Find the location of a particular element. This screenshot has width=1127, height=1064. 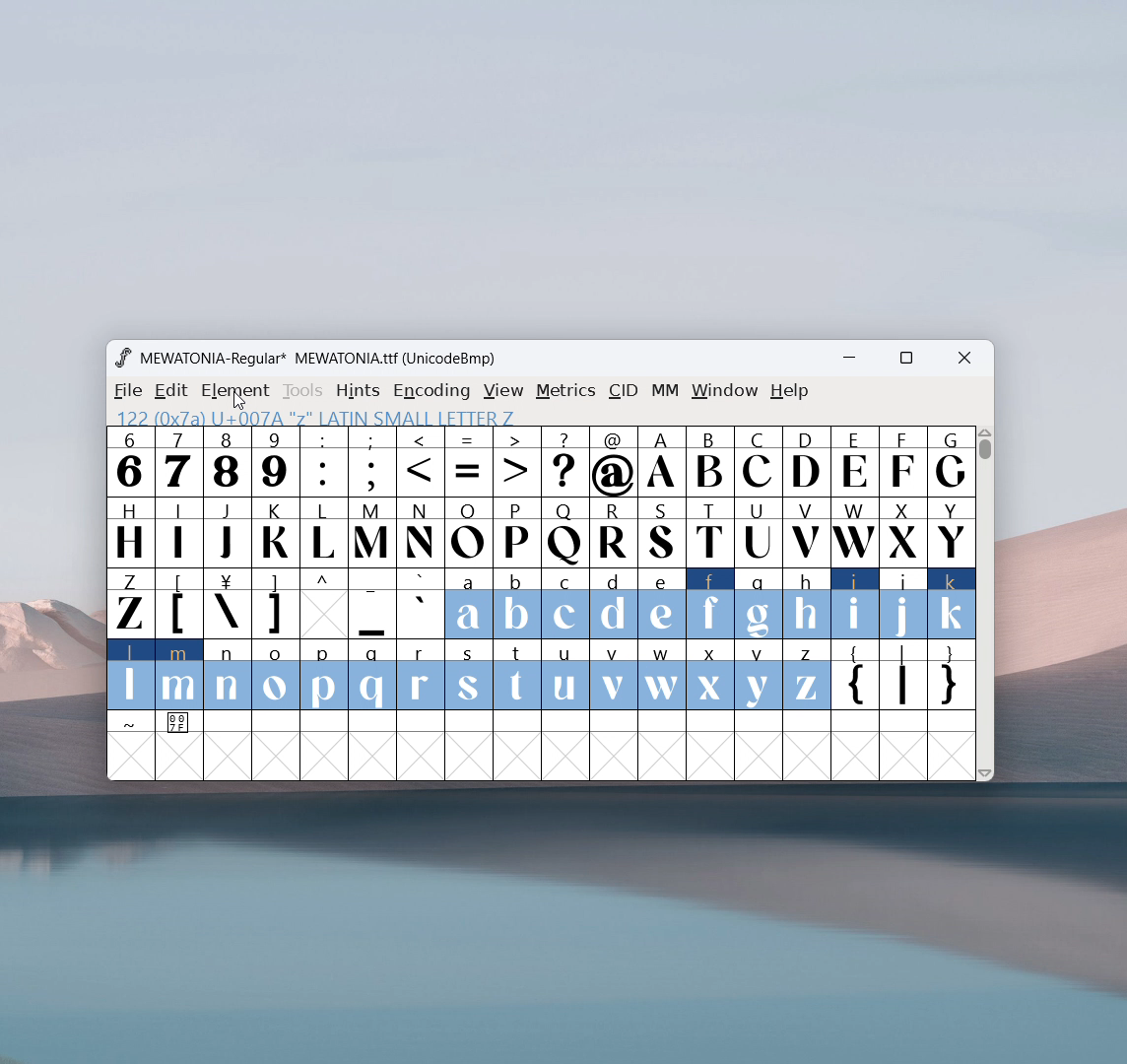

: is located at coordinates (323, 462).